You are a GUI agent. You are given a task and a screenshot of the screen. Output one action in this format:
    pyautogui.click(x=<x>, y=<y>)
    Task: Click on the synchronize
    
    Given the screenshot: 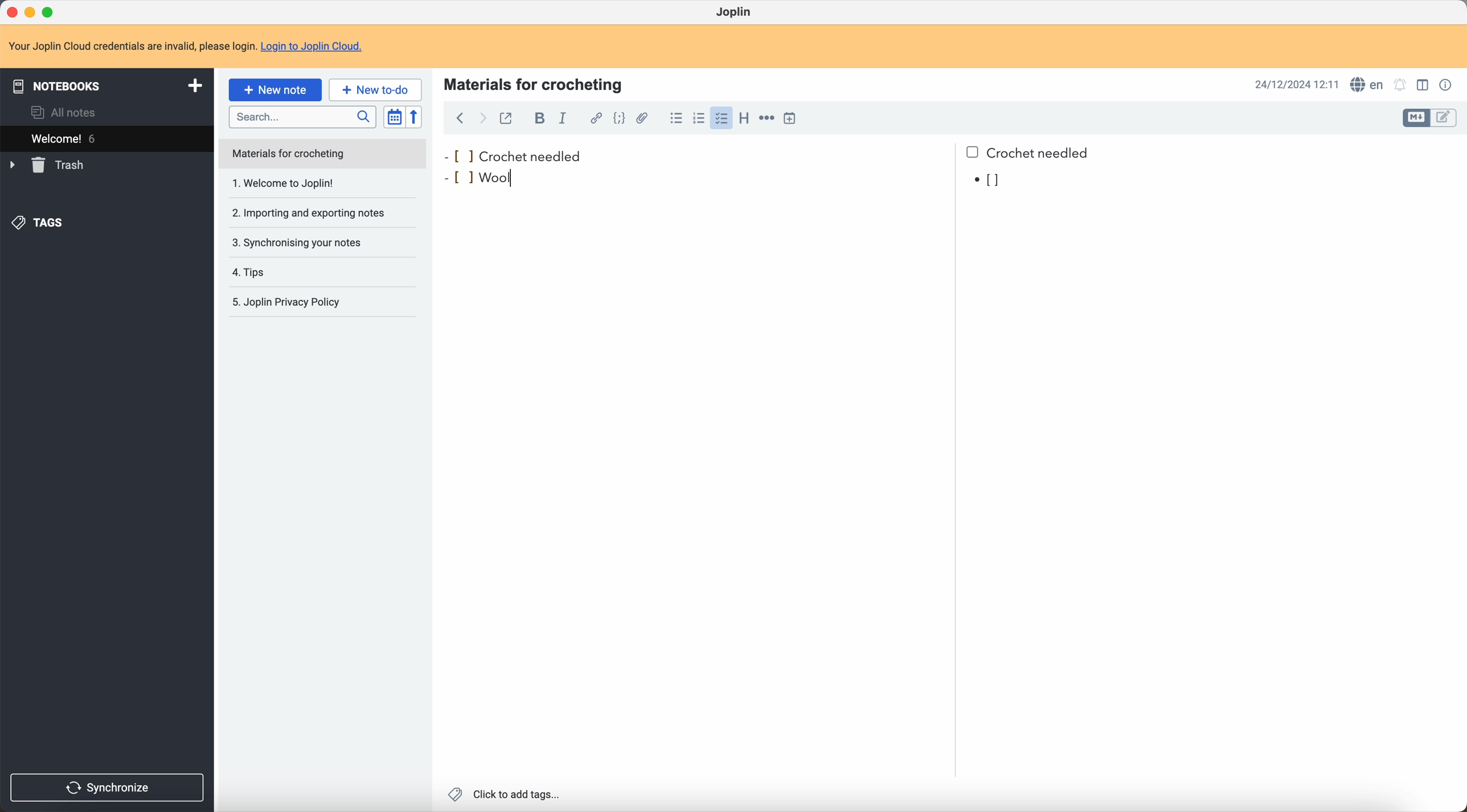 What is the action you would take?
    pyautogui.click(x=108, y=788)
    